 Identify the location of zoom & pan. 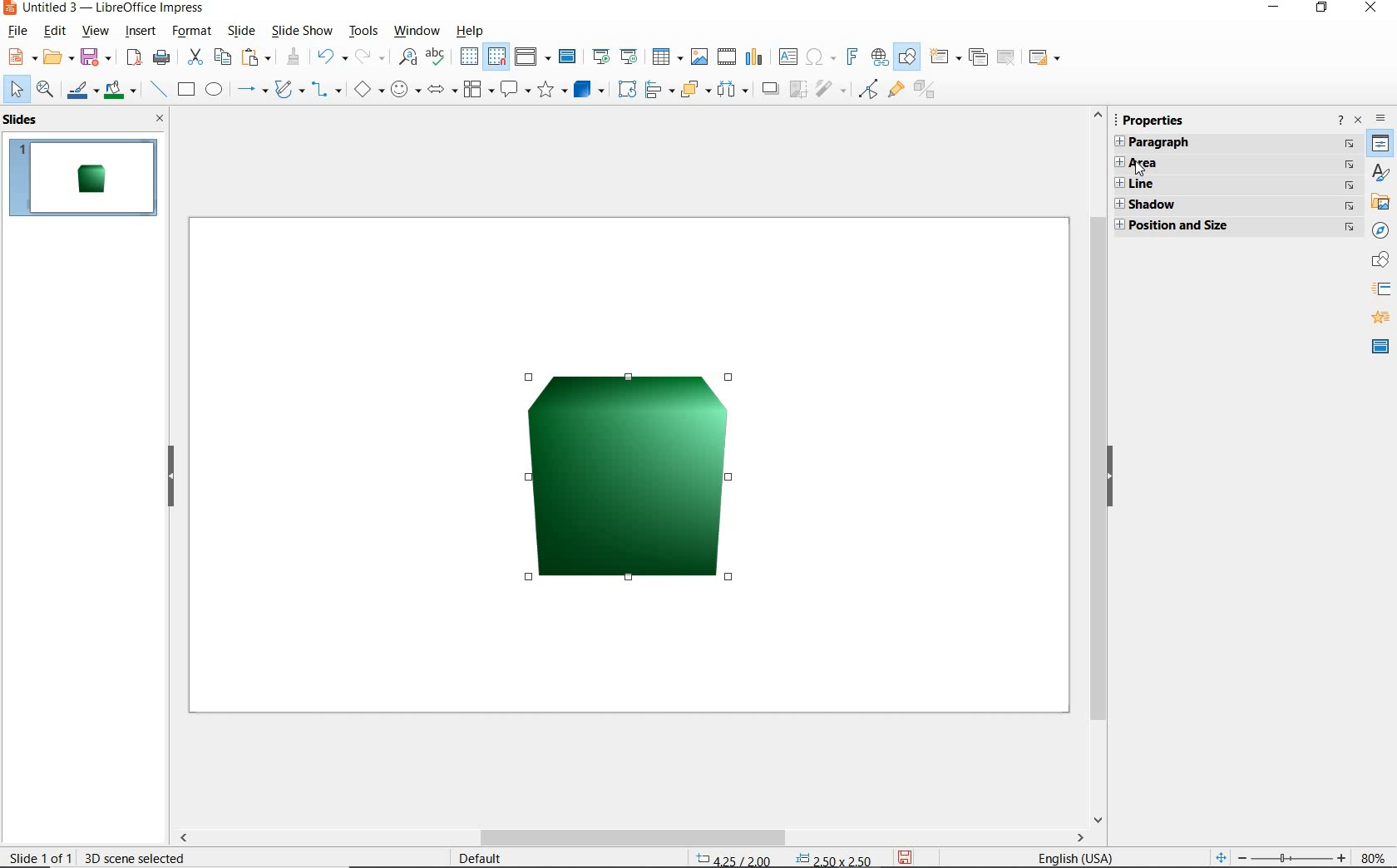
(45, 91).